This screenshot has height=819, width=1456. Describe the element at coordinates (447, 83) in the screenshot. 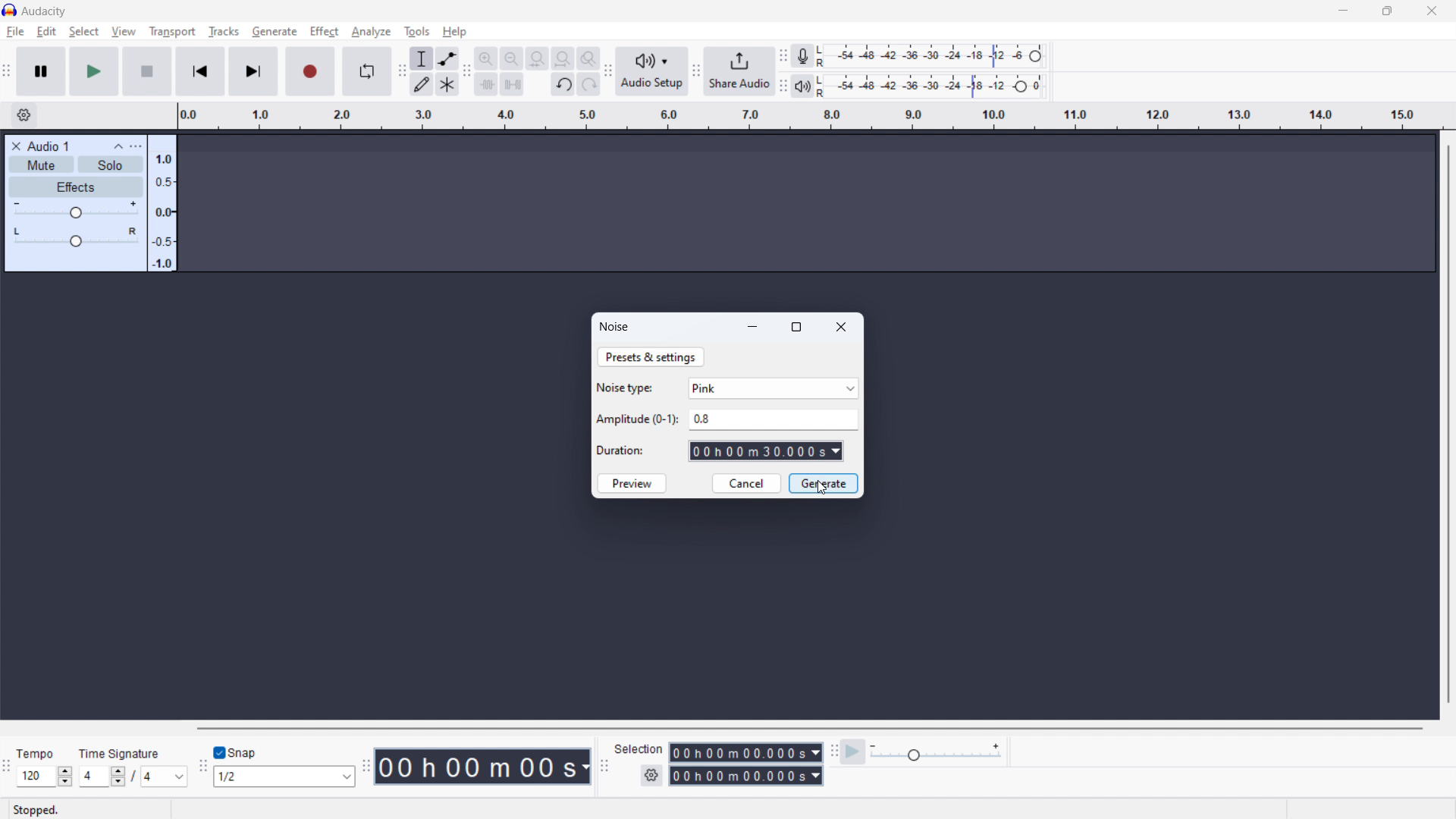

I see `multi tool` at that location.